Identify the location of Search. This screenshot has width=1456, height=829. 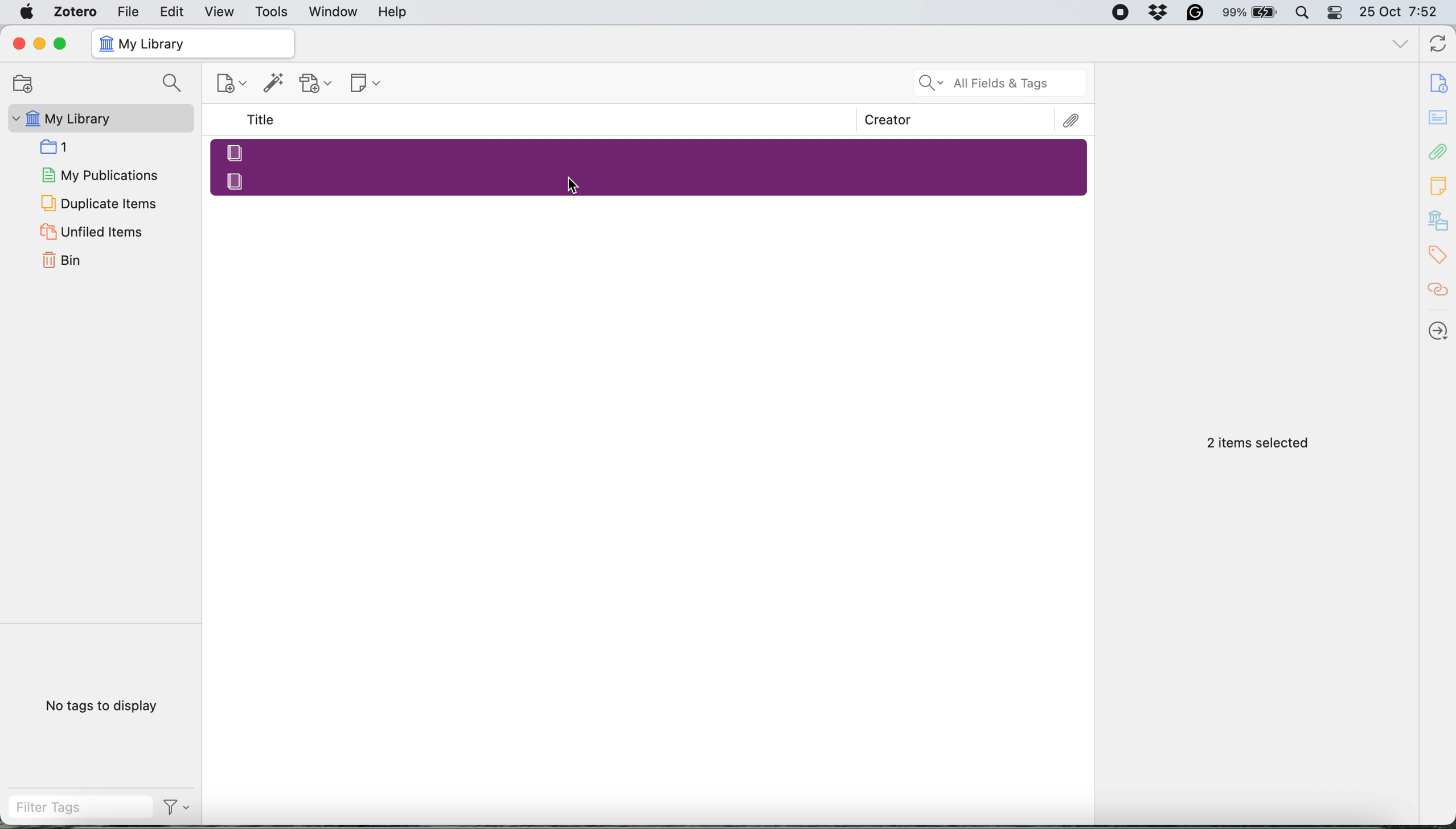
(175, 84).